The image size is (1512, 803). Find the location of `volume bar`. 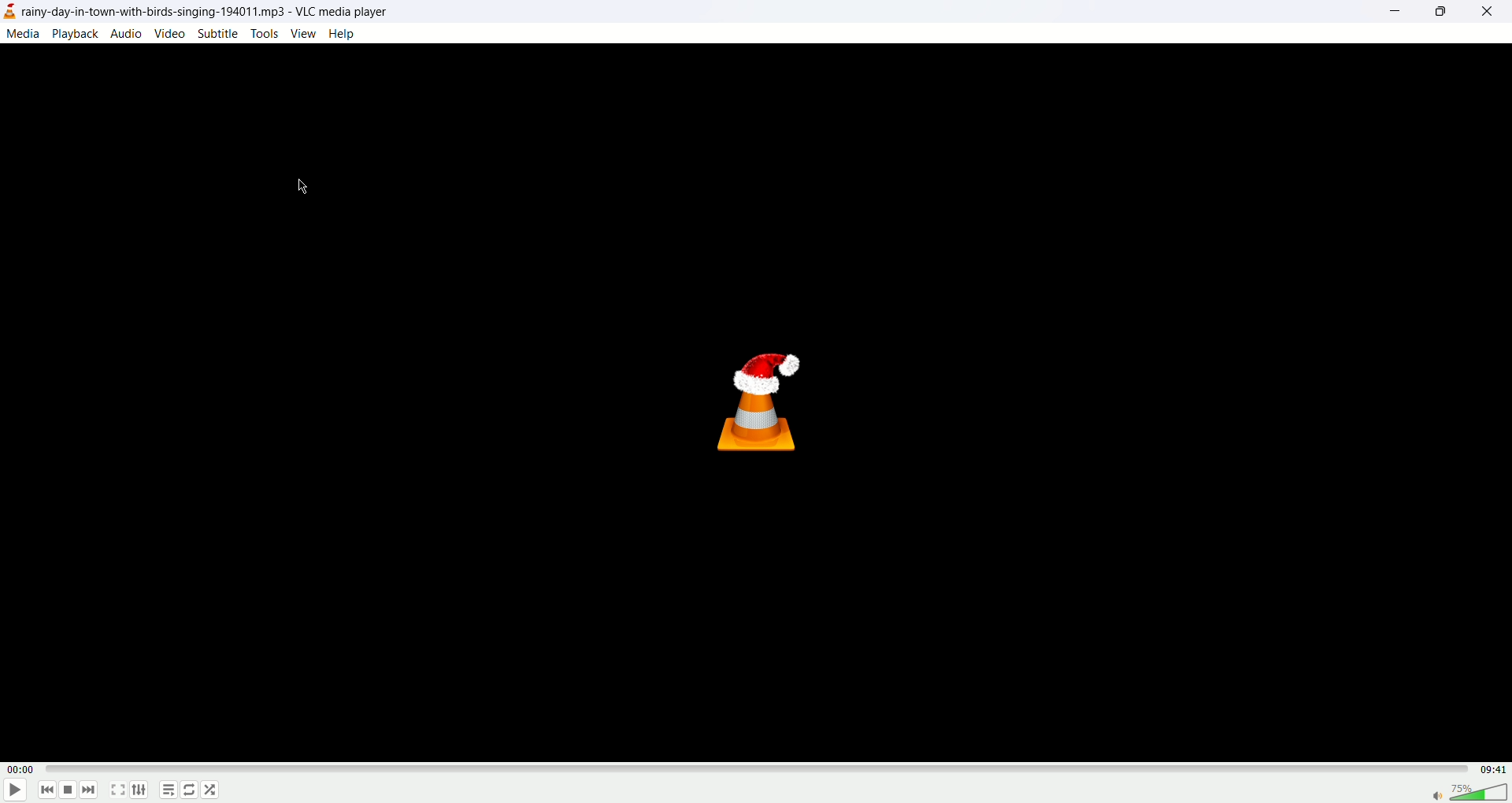

volume bar is located at coordinates (1470, 791).